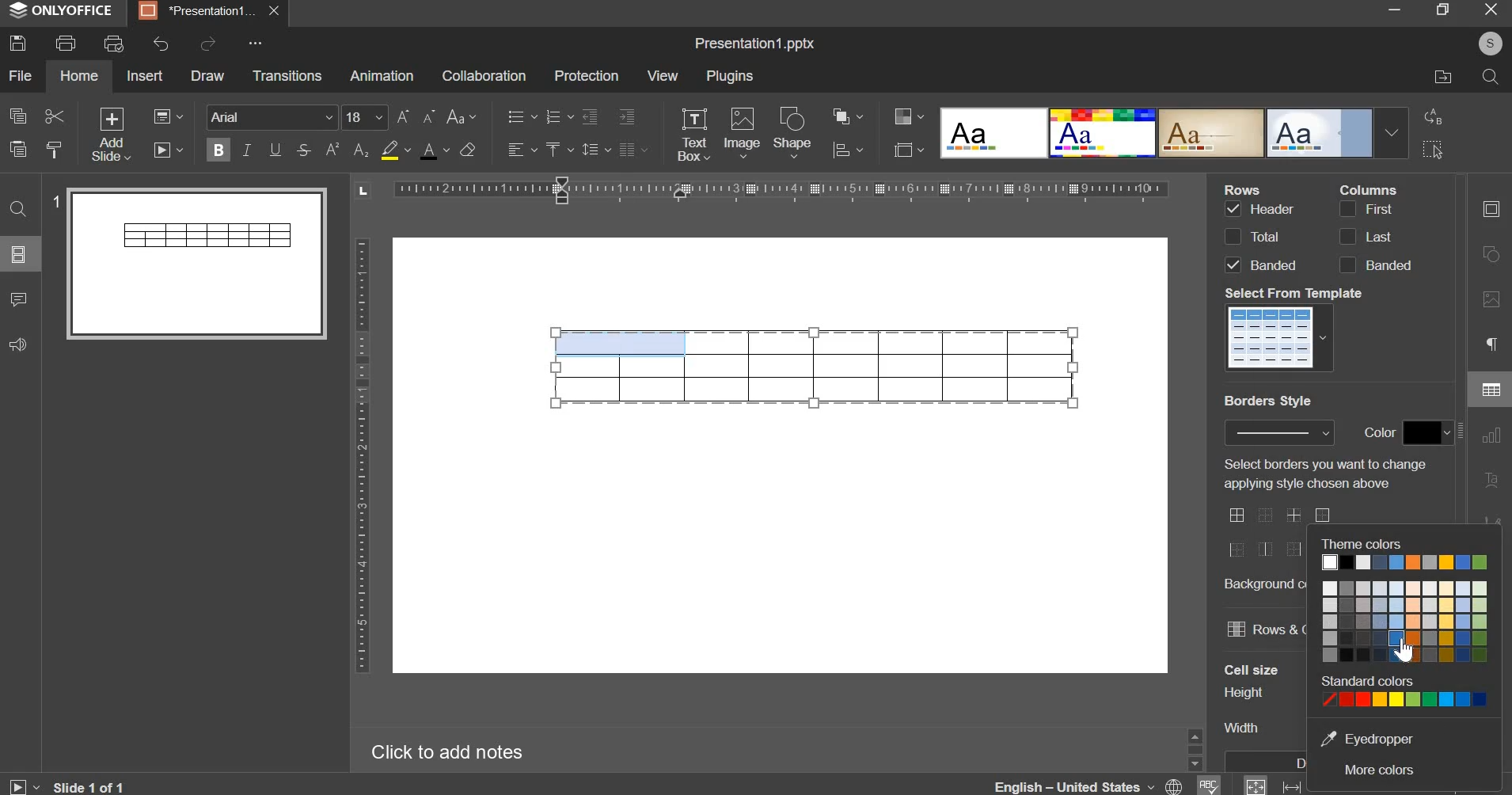 The width and height of the screenshot is (1512, 795). What do you see at coordinates (754, 44) in the screenshot?
I see `Title` at bounding box center [754, 44].